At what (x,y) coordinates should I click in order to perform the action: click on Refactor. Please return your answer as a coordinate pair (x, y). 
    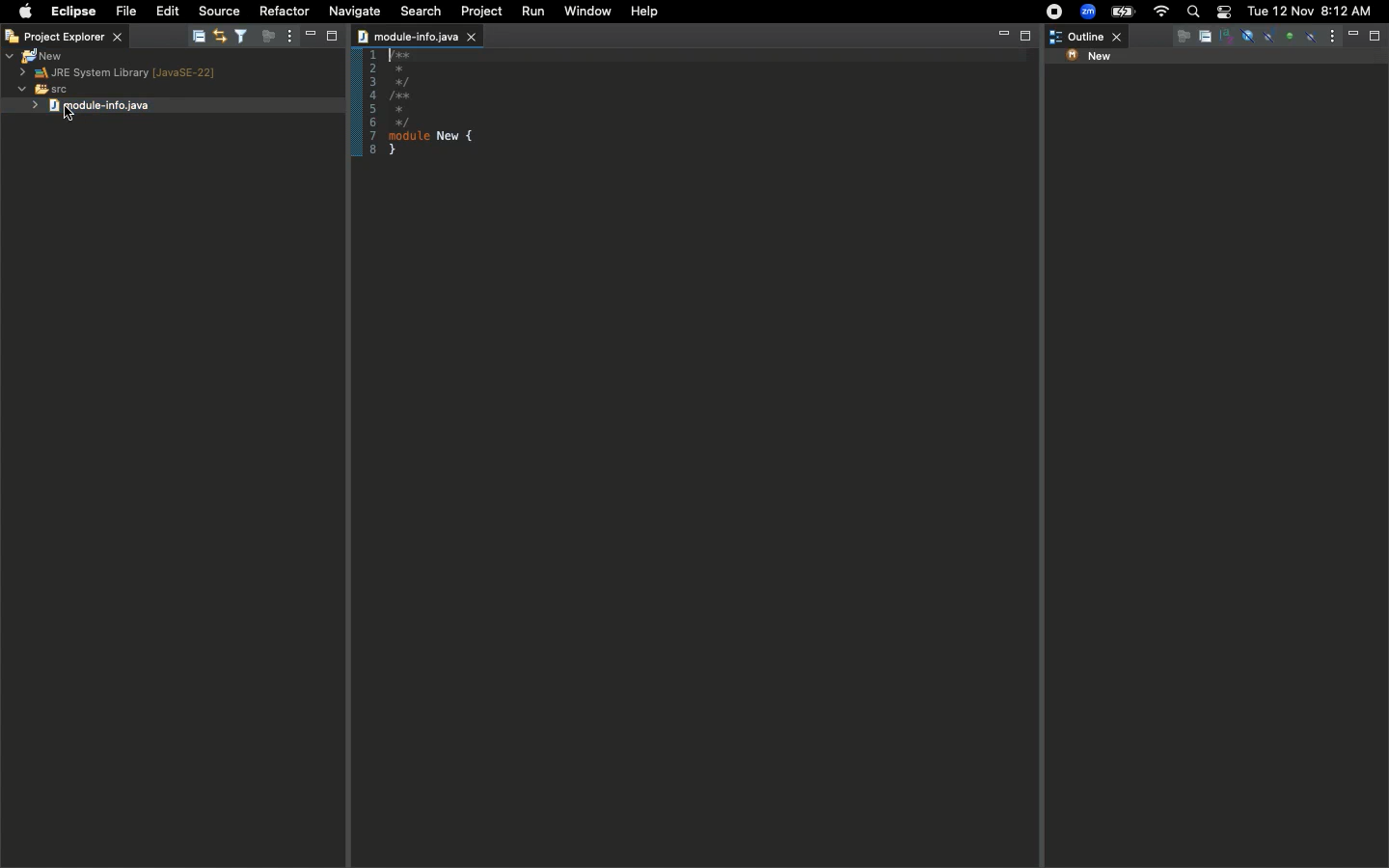
    Looking at the image, I should click on (285, 11).